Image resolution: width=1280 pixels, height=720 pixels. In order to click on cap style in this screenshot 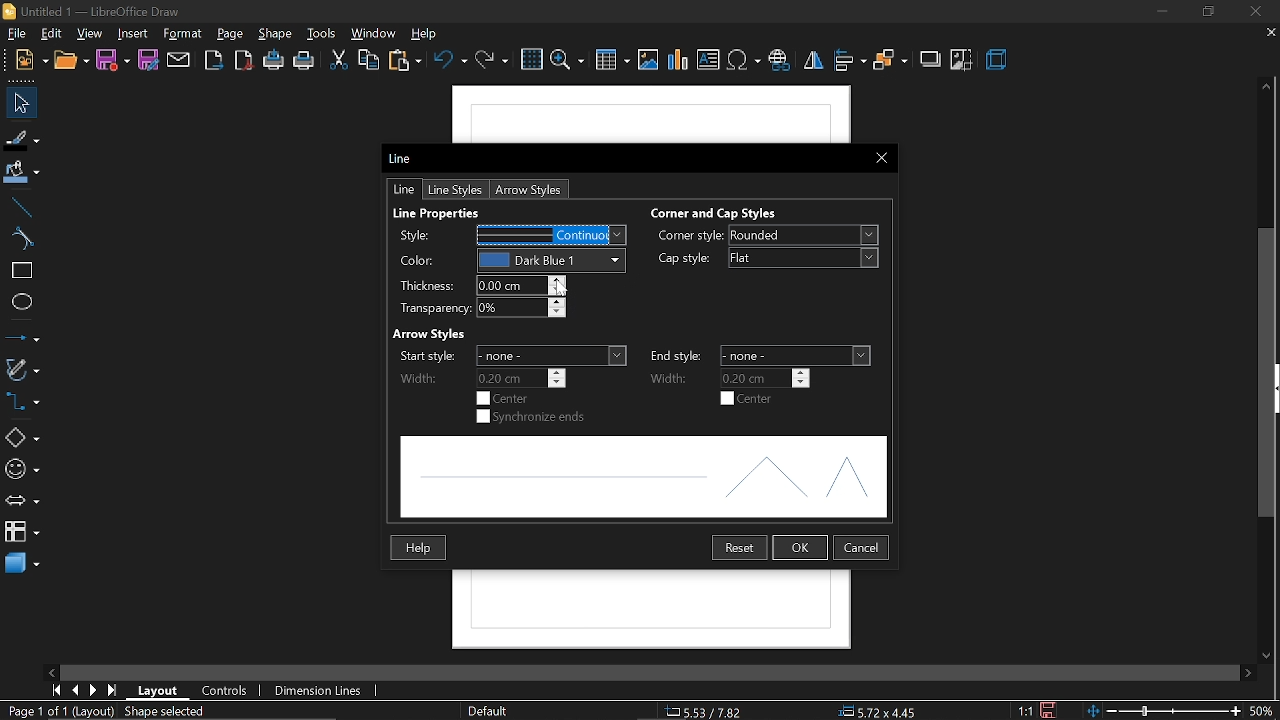, I will do `click(683, 259)`.